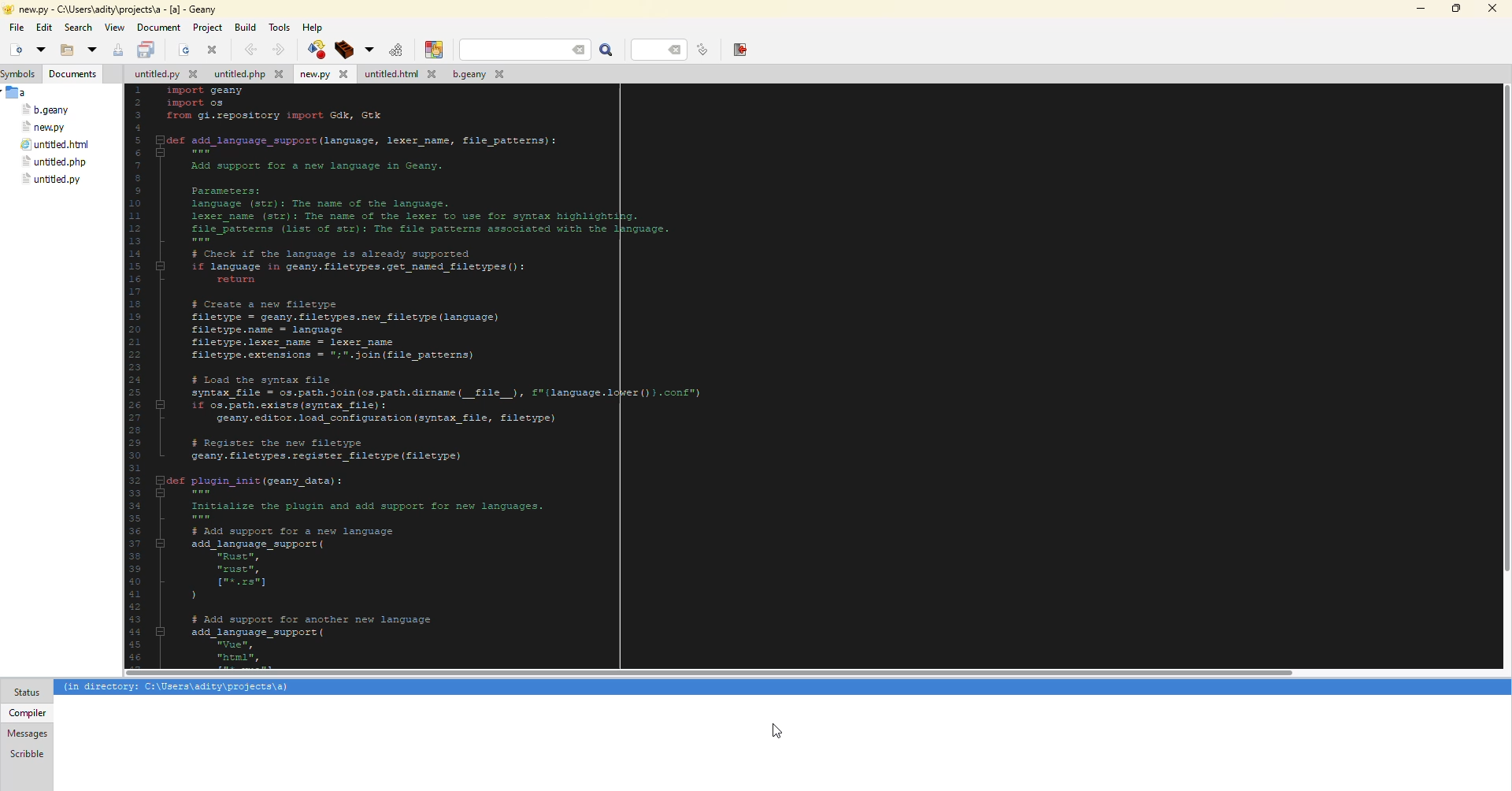  What do you see at coordinates (19, 27) in the screenshot?
I see `file` at bounding box center [19, 27].